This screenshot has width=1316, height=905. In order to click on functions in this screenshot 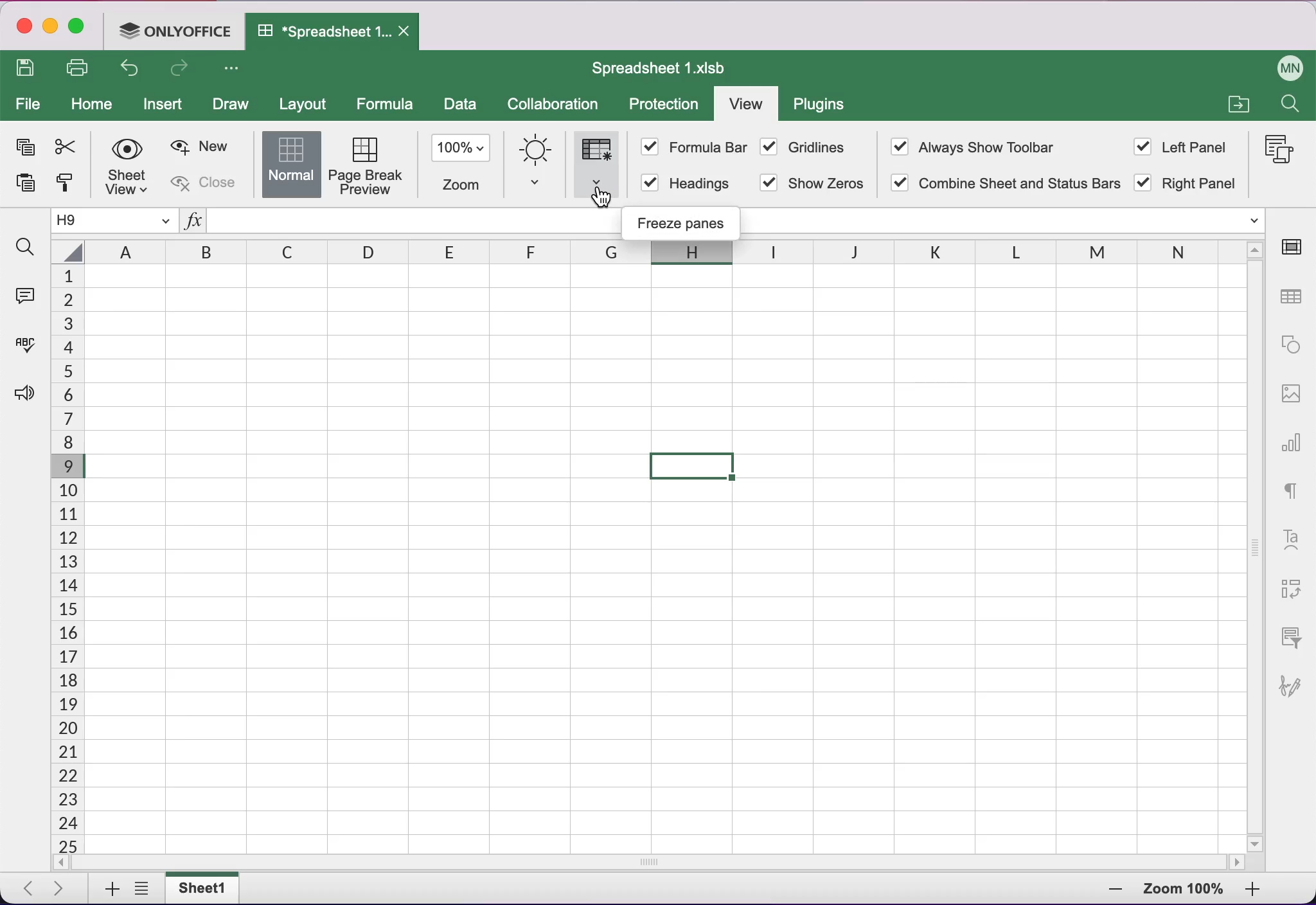, I will do `click(197, 220)`.